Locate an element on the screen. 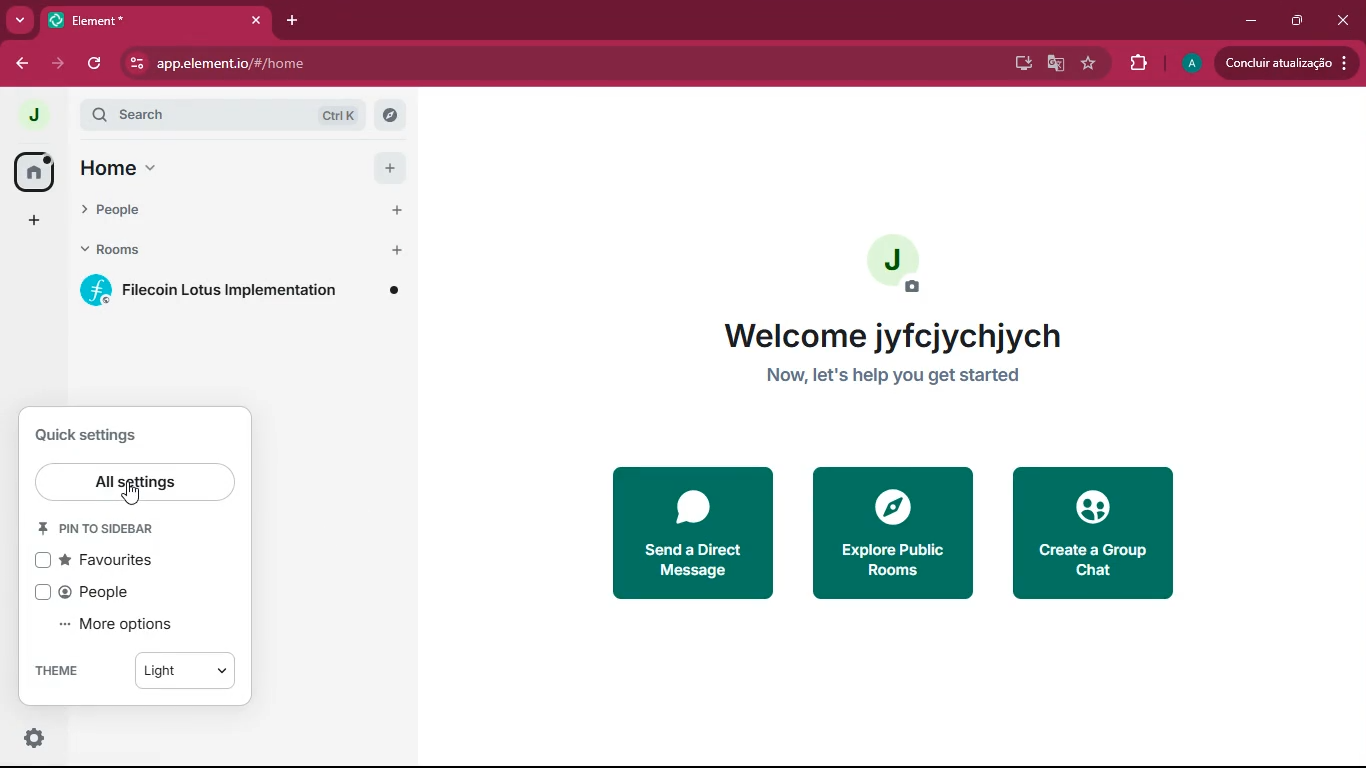 Image resolution: width=1366 pixels, height=768 pixels. pin is located at coordinates (104, 529).